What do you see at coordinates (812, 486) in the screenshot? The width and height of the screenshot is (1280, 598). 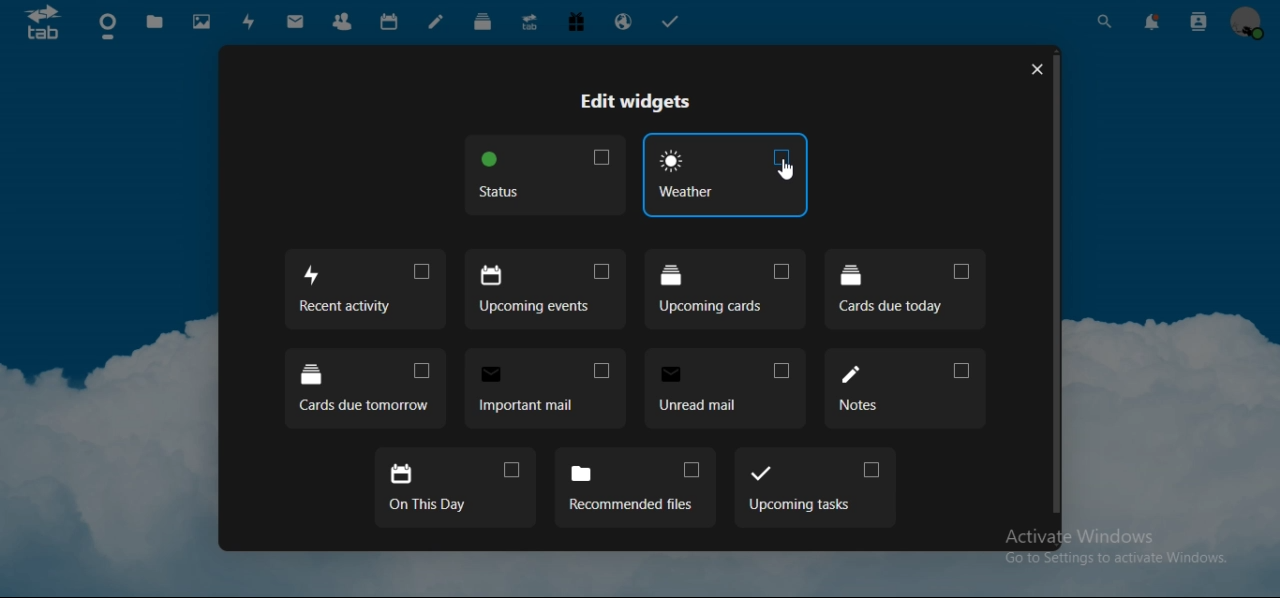 I see `upcoming tasks` at bounding box center [812, 486].